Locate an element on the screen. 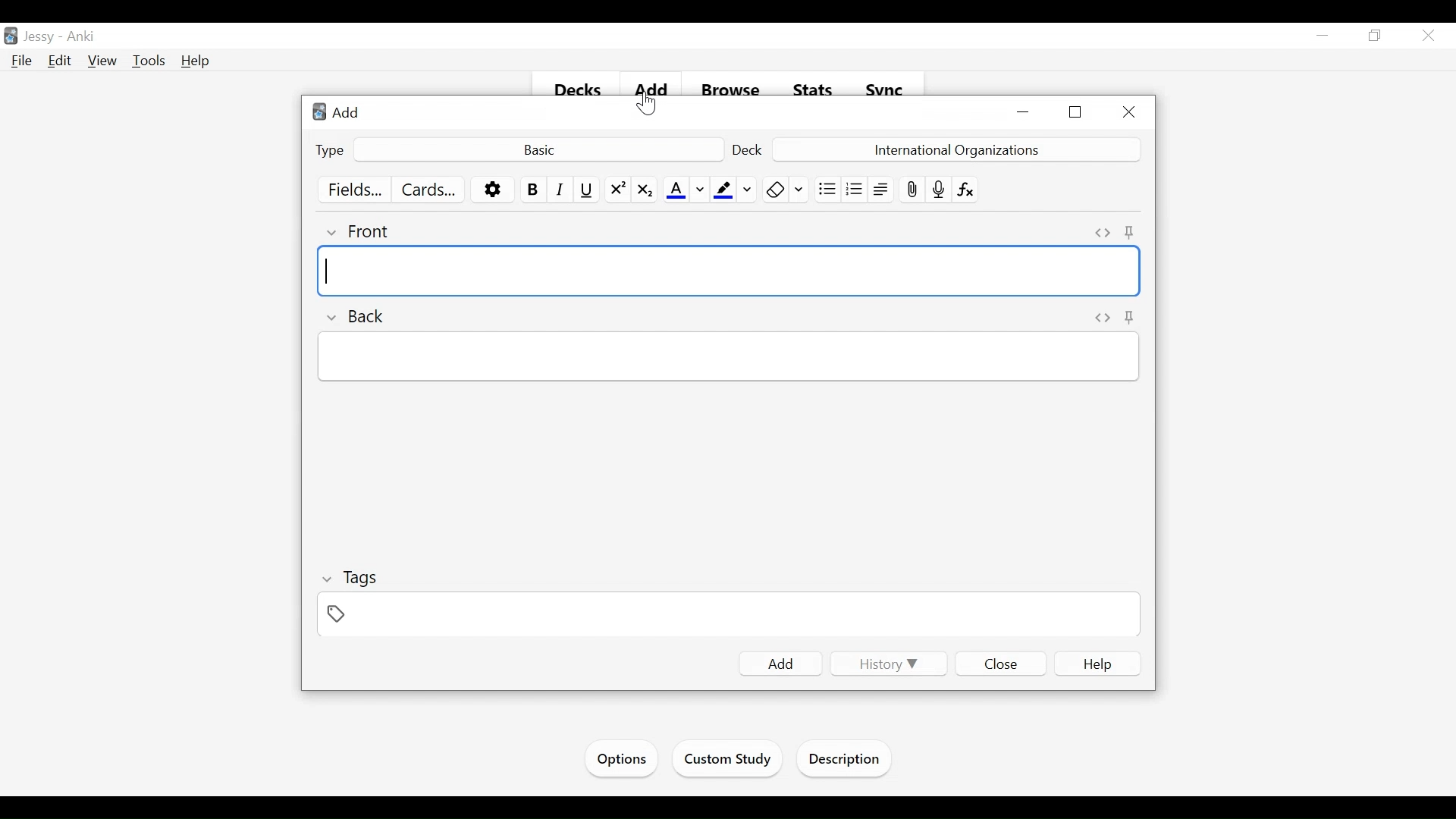 The width and height of the screenshot is (1456, 819). User Name is located at coordinates (39, 37).